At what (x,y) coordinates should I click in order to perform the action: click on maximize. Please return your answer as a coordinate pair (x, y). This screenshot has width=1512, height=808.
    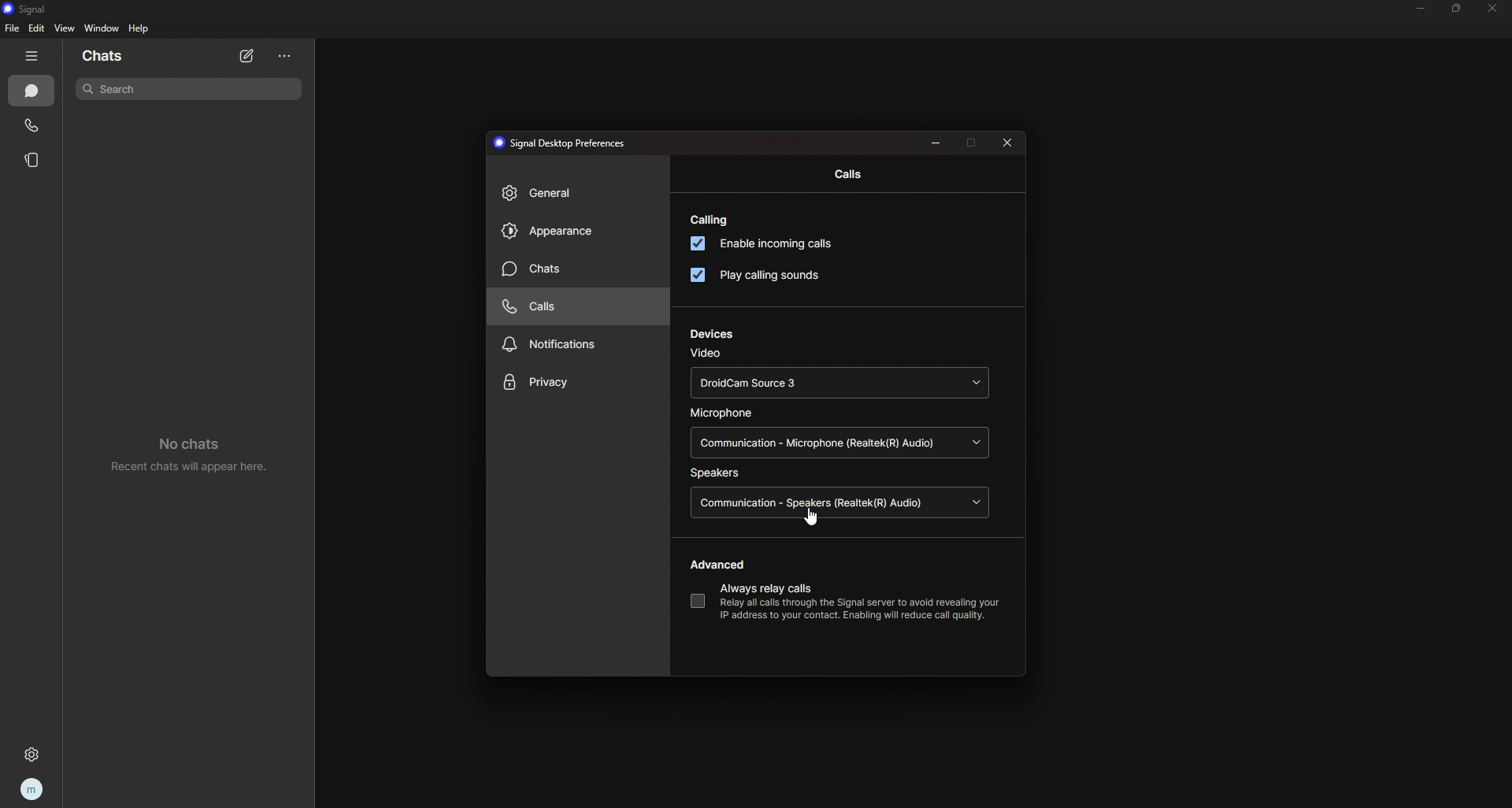
    Looking at the image, I should click on (973, 142).